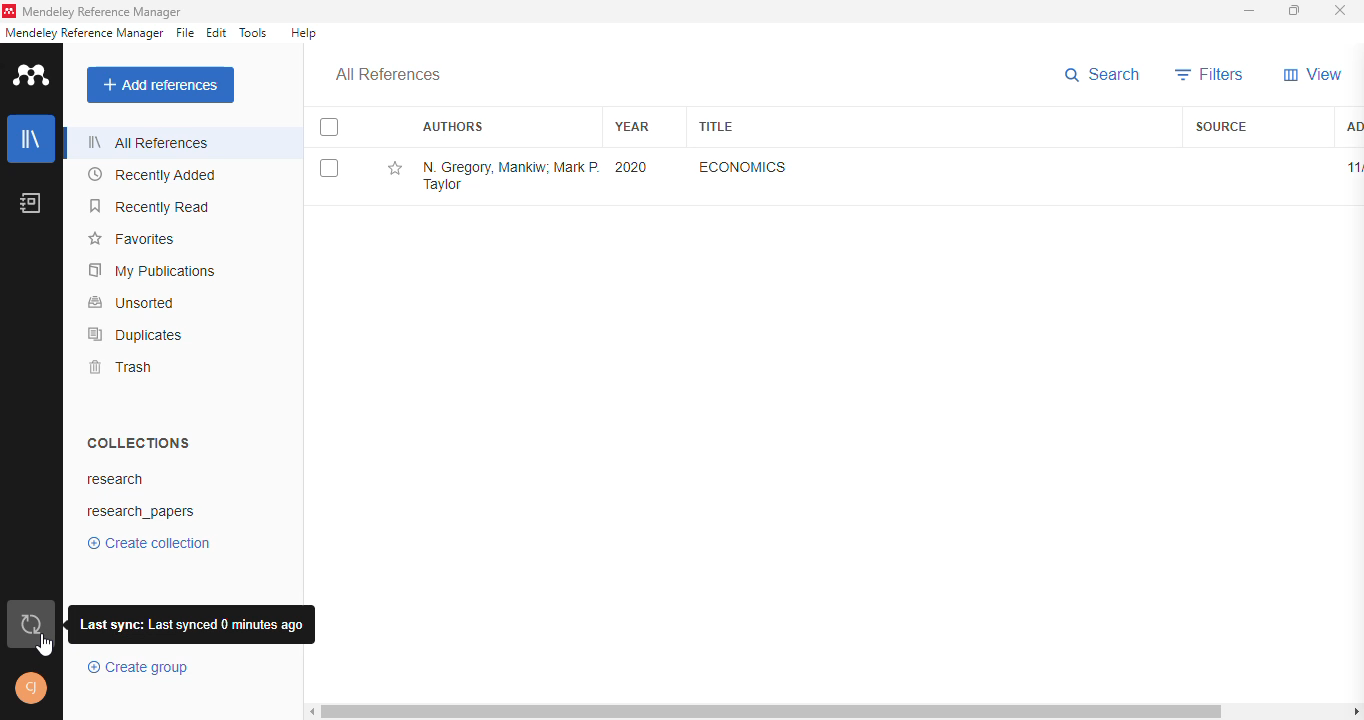 Image resolution: width=1364 pixels, height=720 pixels. I want to click on research, so click(117, 480).